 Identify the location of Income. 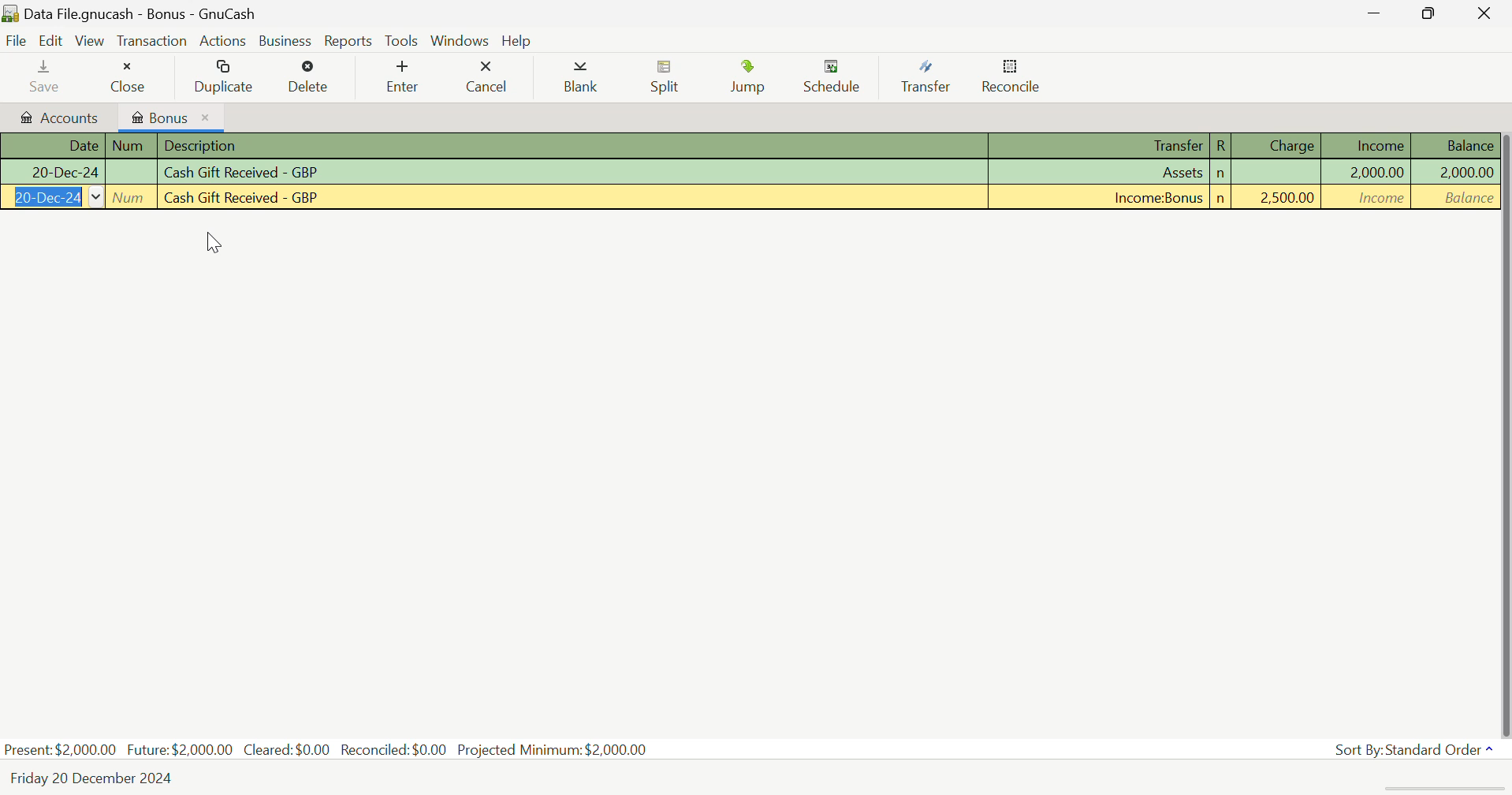
(1369, 172).